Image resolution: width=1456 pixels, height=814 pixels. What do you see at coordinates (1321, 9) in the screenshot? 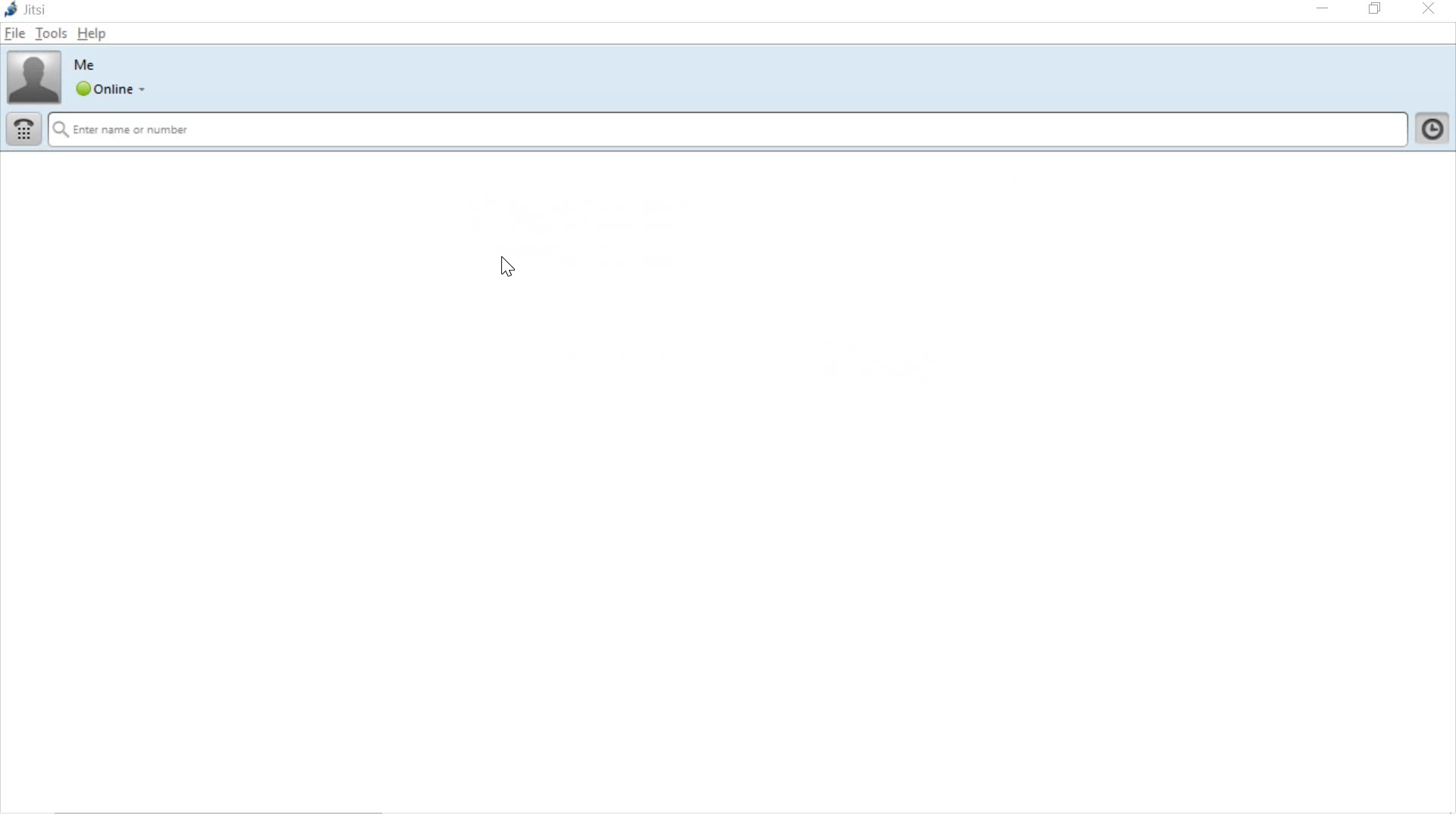
I see `minimize` at bounding box center [1321, 9].